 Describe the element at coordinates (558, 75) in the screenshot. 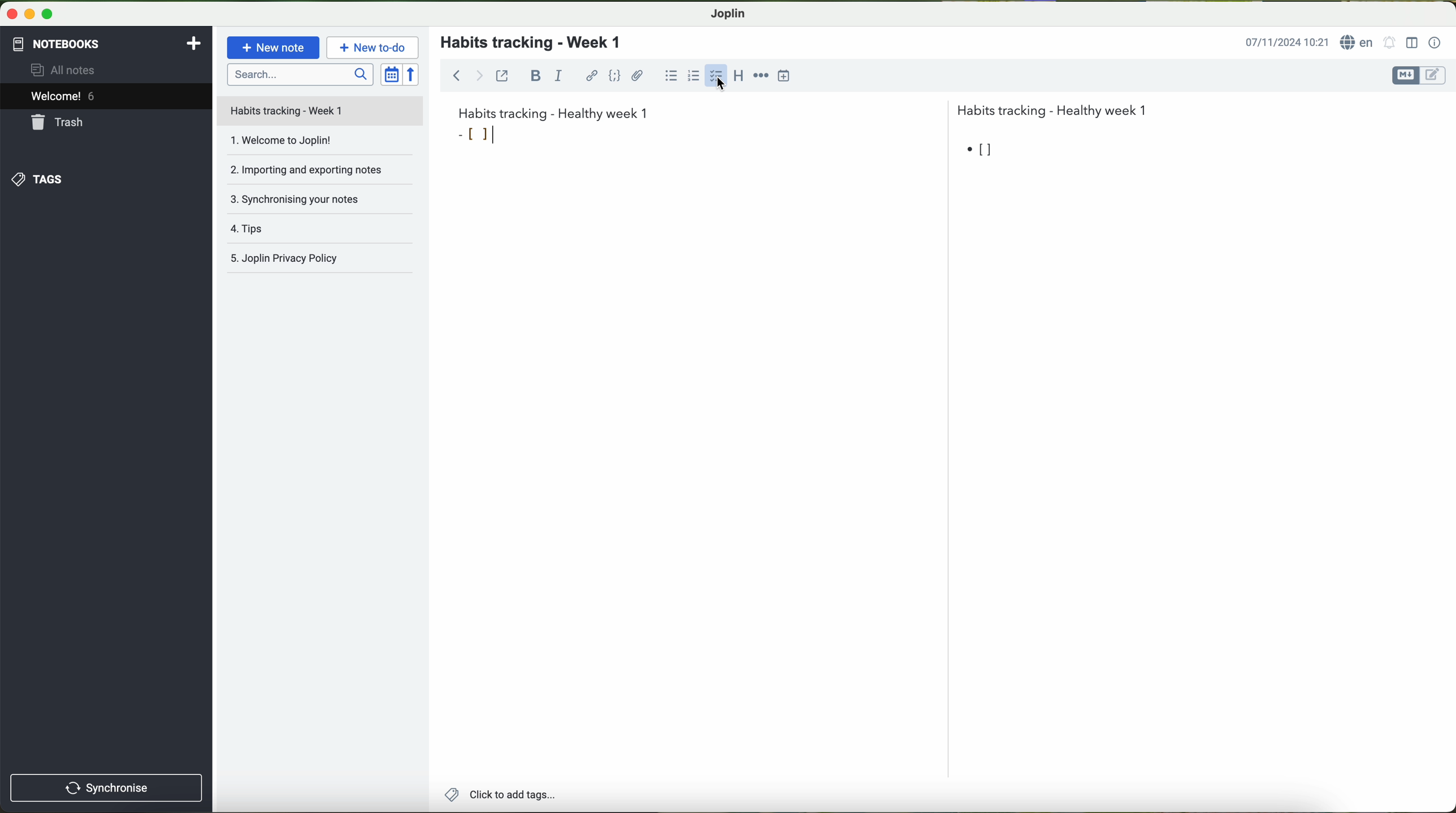

I see `italic` at that location.